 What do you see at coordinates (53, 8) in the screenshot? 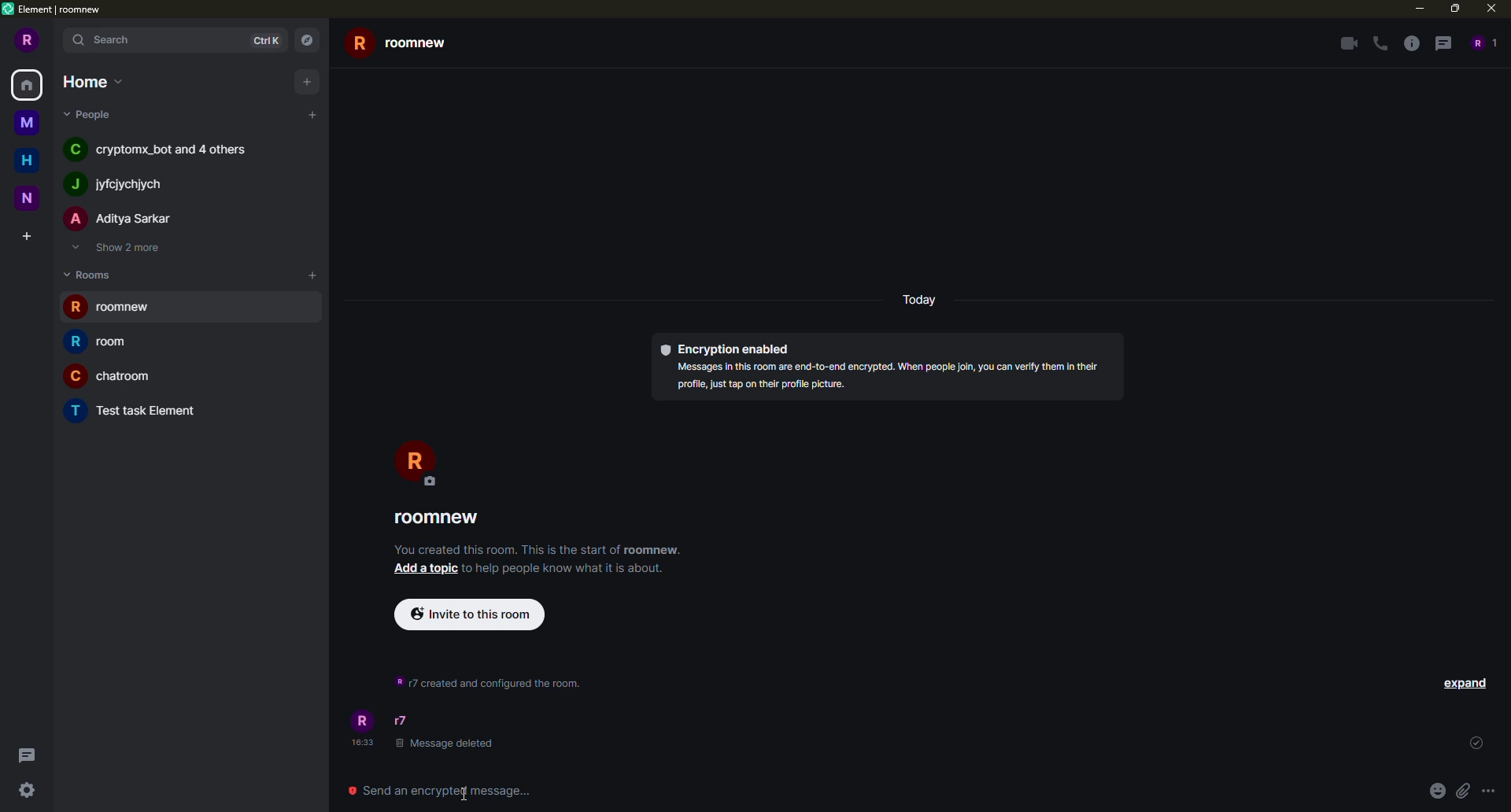
I see `element` at bounding box center [53, 8].